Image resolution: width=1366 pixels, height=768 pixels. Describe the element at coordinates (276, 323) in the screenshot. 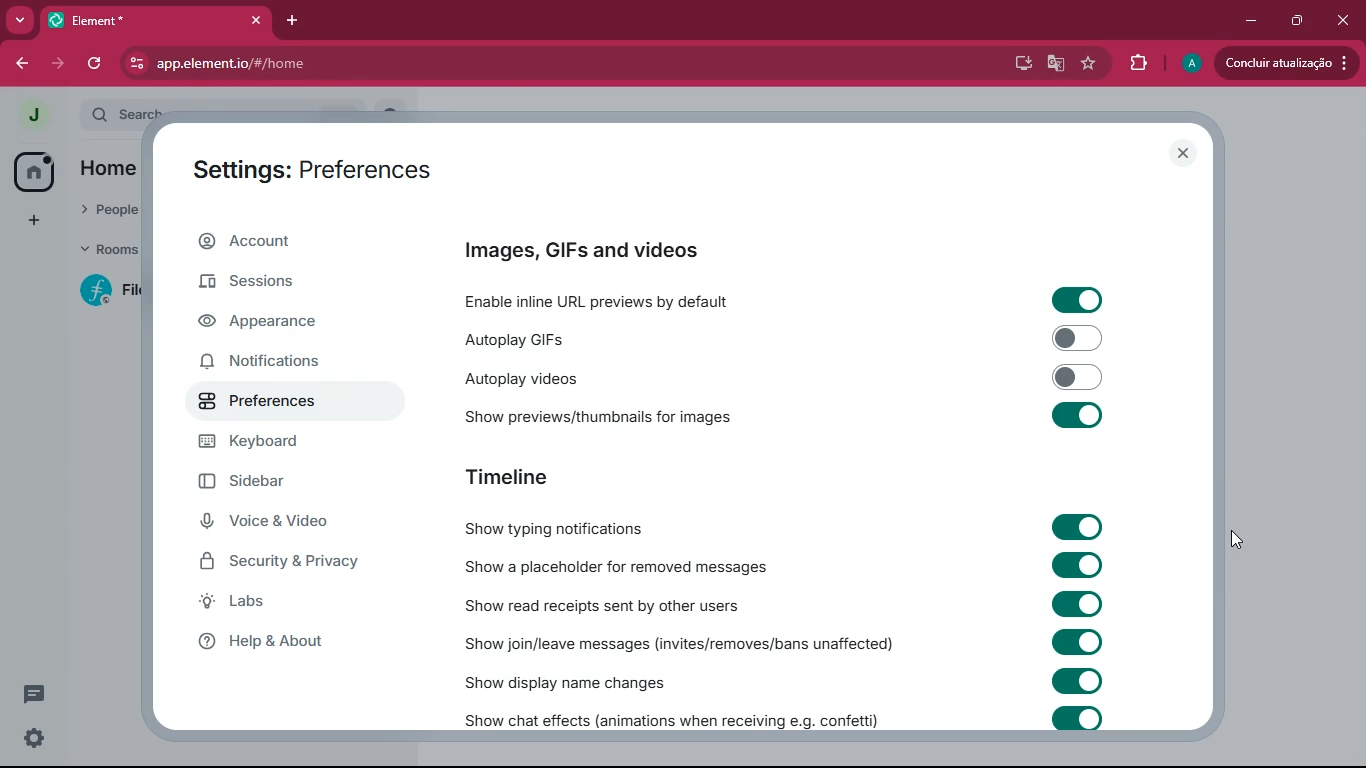

I see `appearance` at that location.